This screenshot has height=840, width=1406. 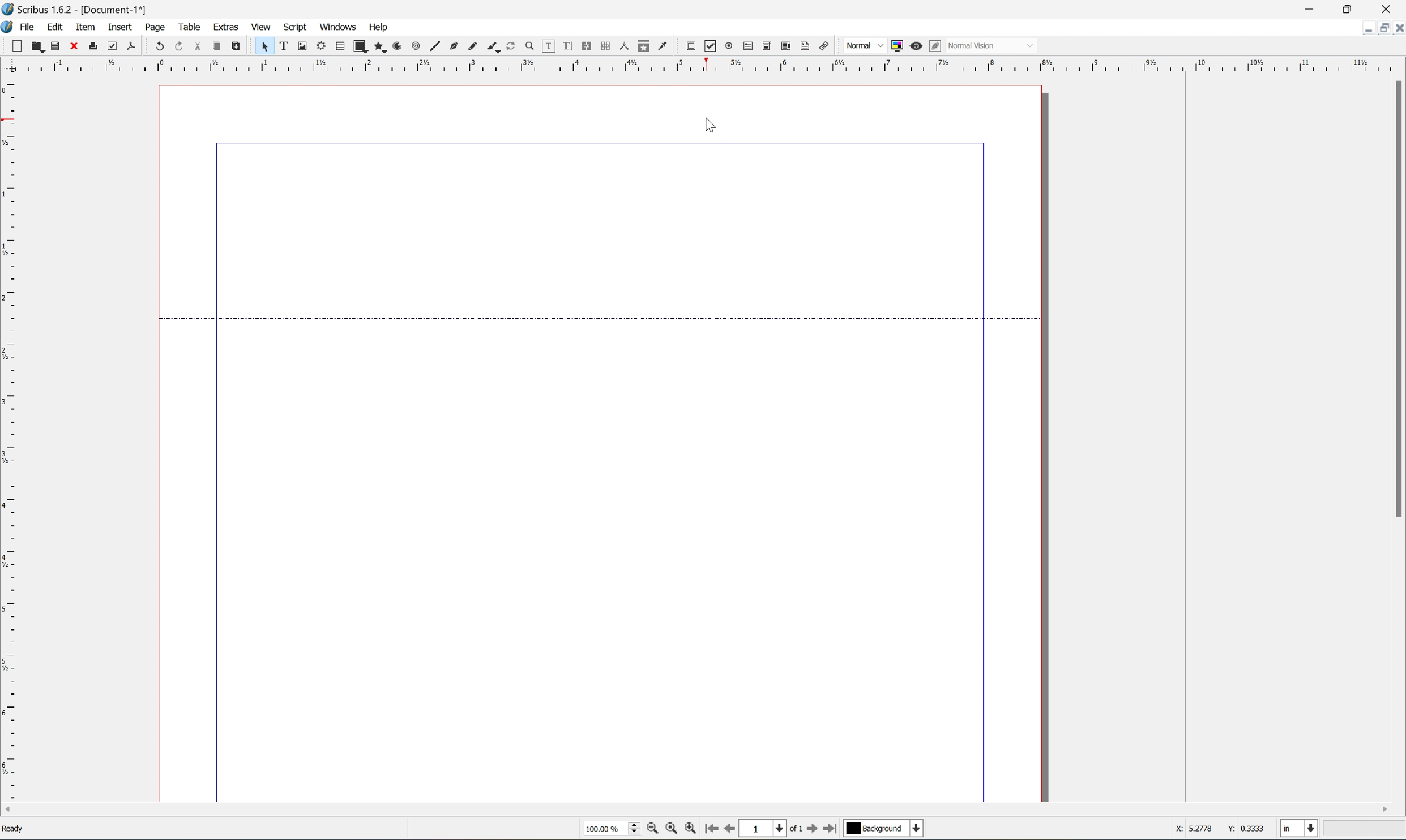 I want to click on Ready, so click(x=16, y=831).